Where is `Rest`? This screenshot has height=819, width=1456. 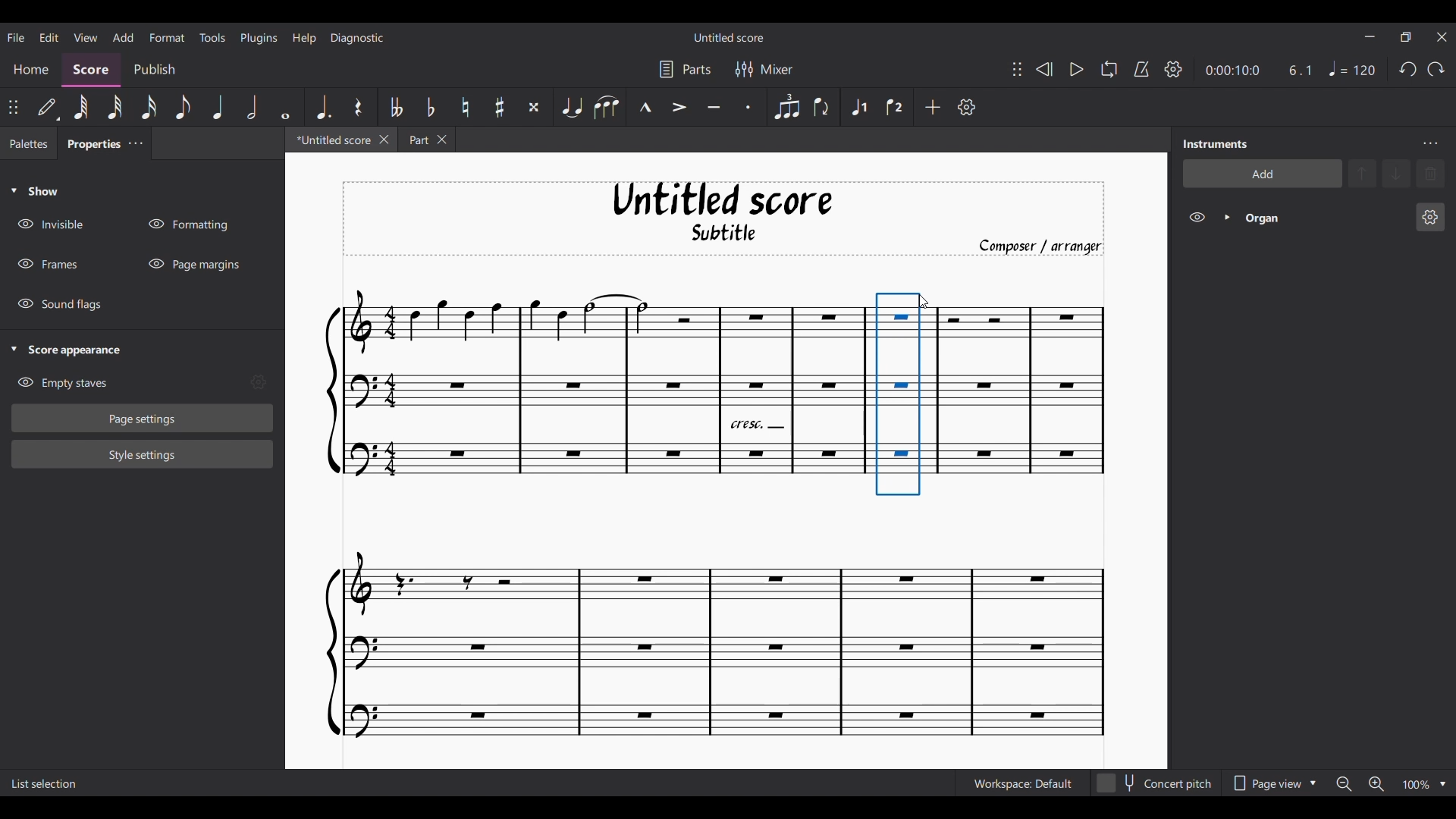
Rest is located at coordinates (358, 107).